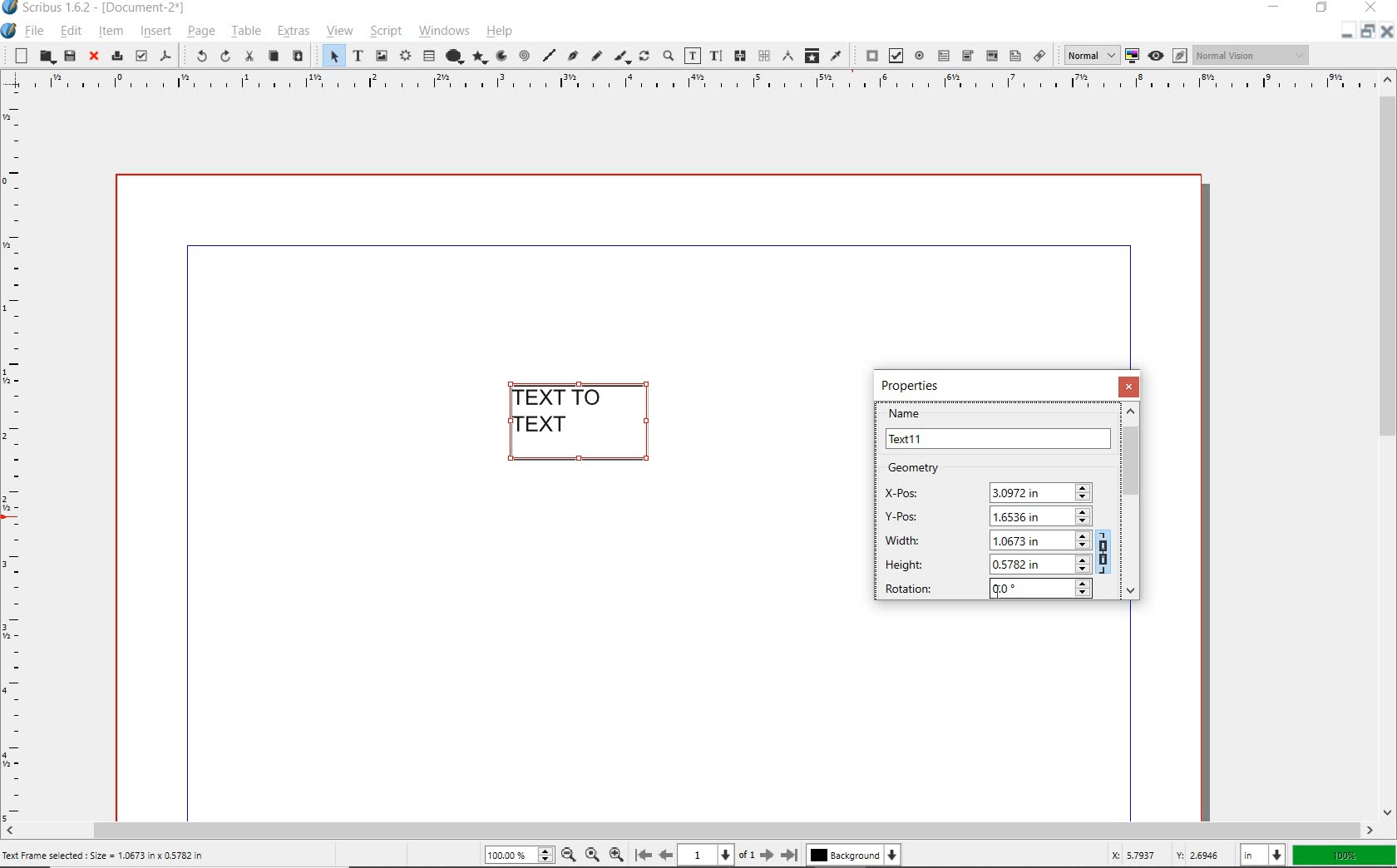 This screenshot has height=868, width=1397. What do you see at coordinates (523, 55) in the screenshot?
I see `spiral` at bounding box center [523, 55].